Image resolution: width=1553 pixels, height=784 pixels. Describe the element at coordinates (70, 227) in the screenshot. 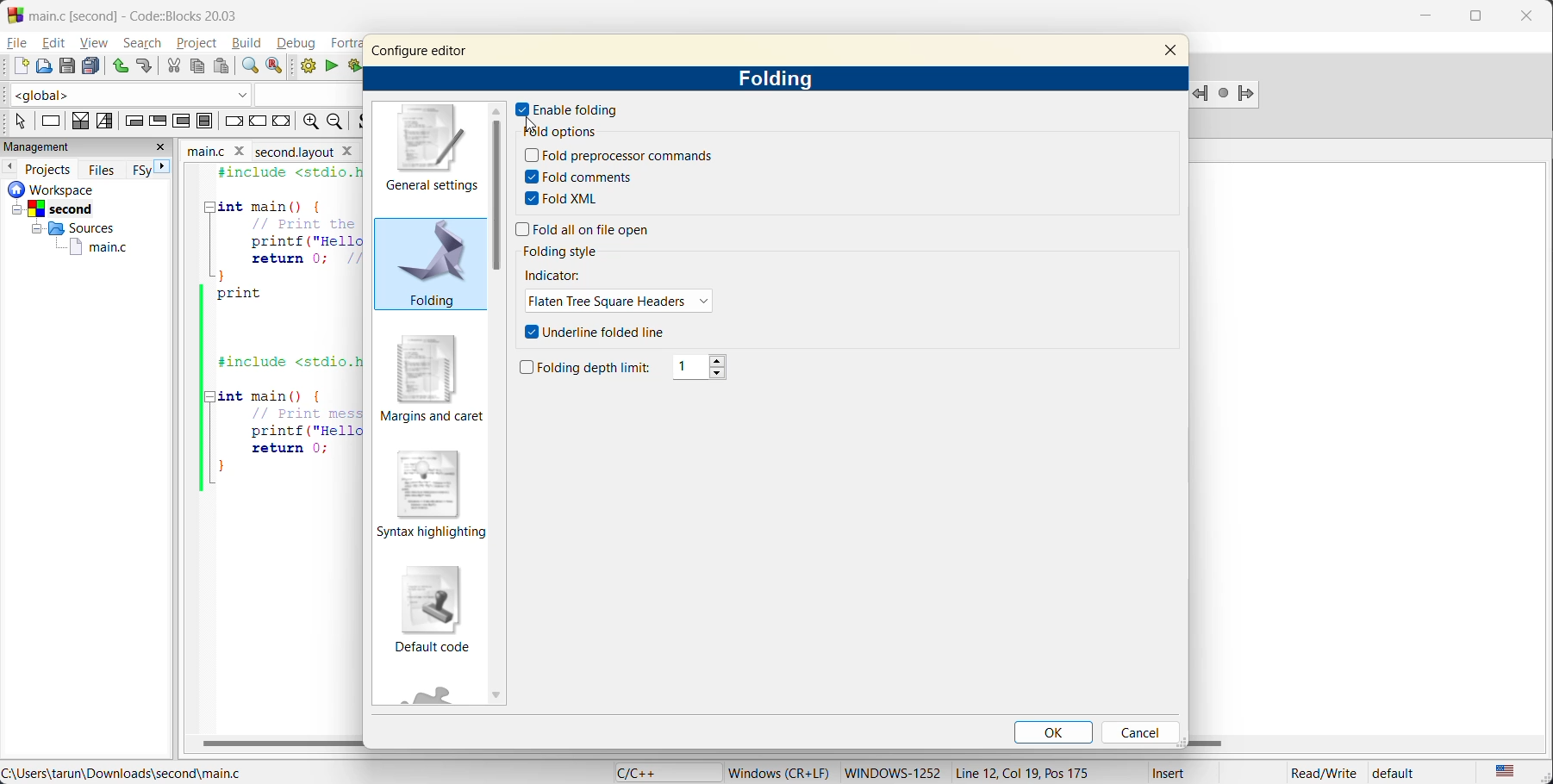

I see `` at that location.